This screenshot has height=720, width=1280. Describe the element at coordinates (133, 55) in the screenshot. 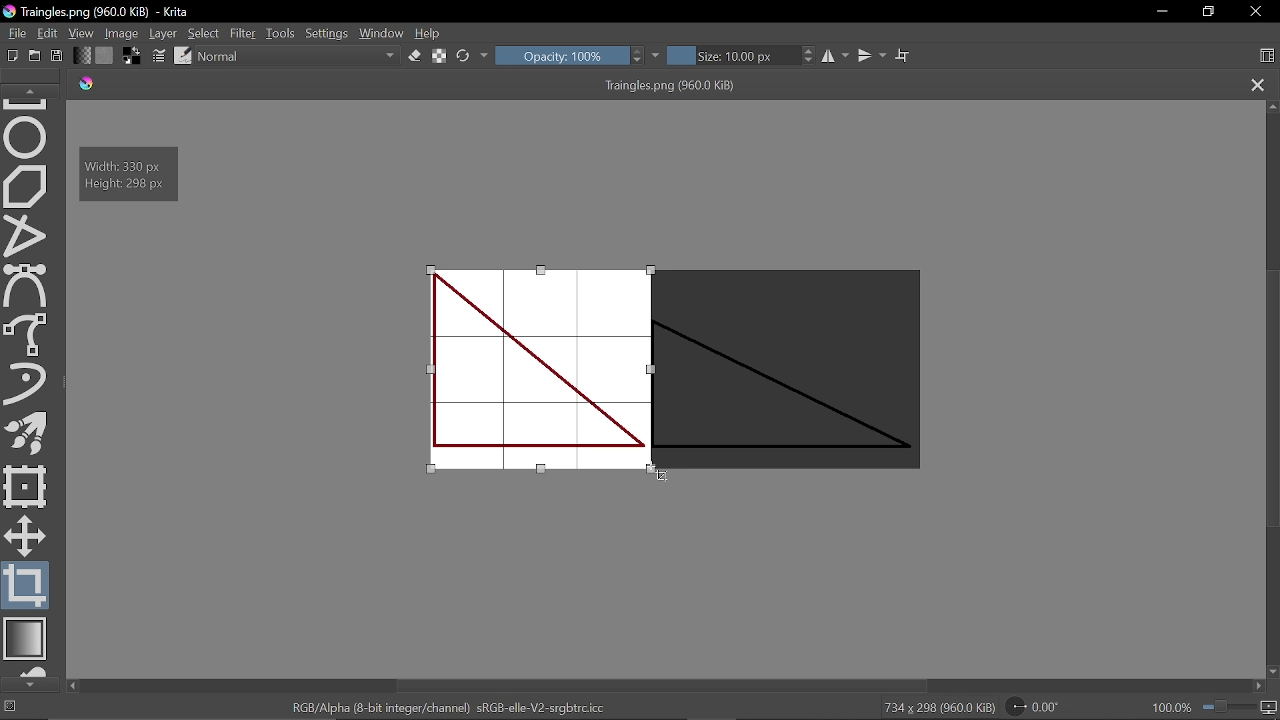

I see `Foreground color` at that location.